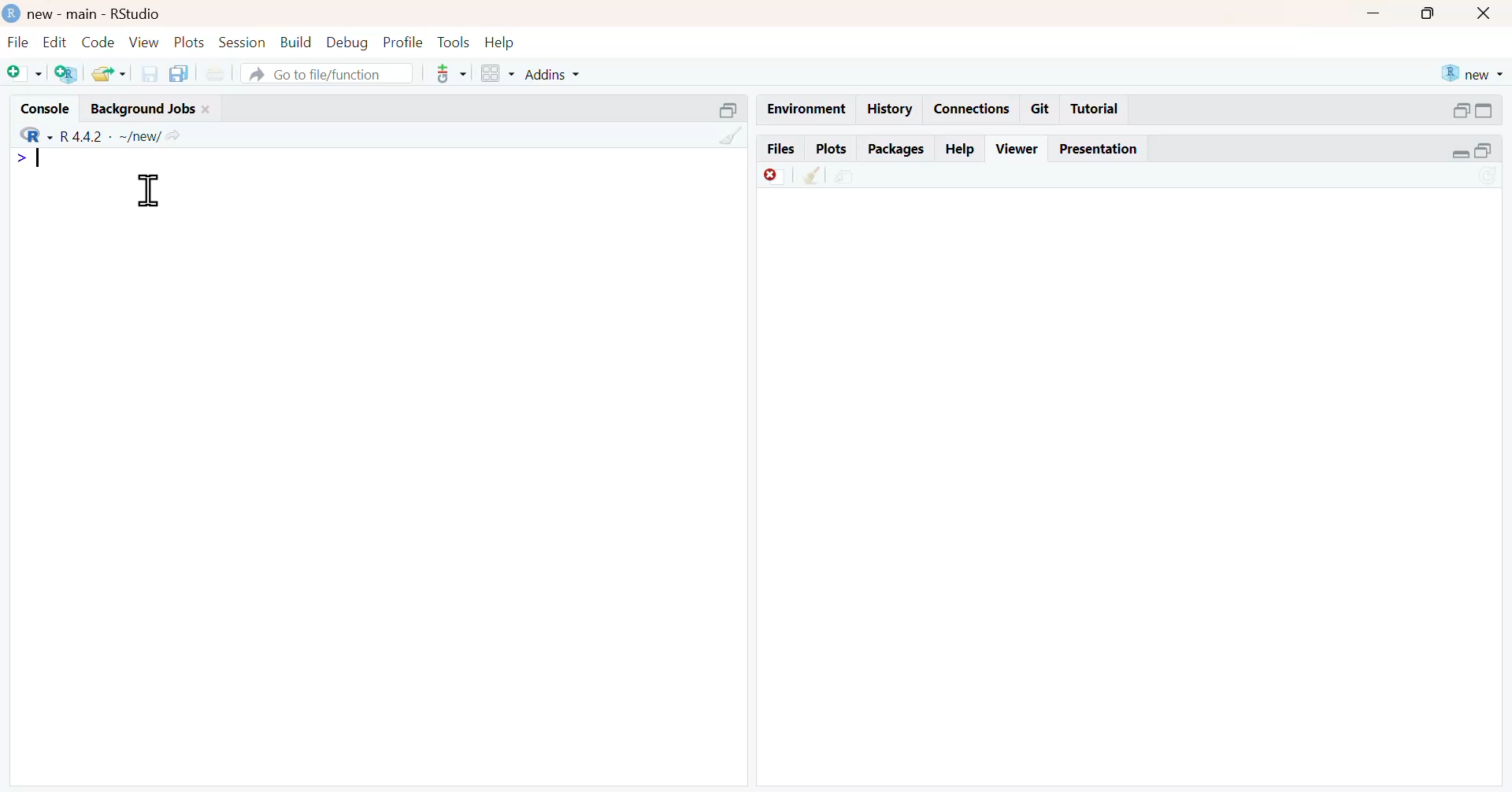  I want to click on typing cursor, so click(46, 161).